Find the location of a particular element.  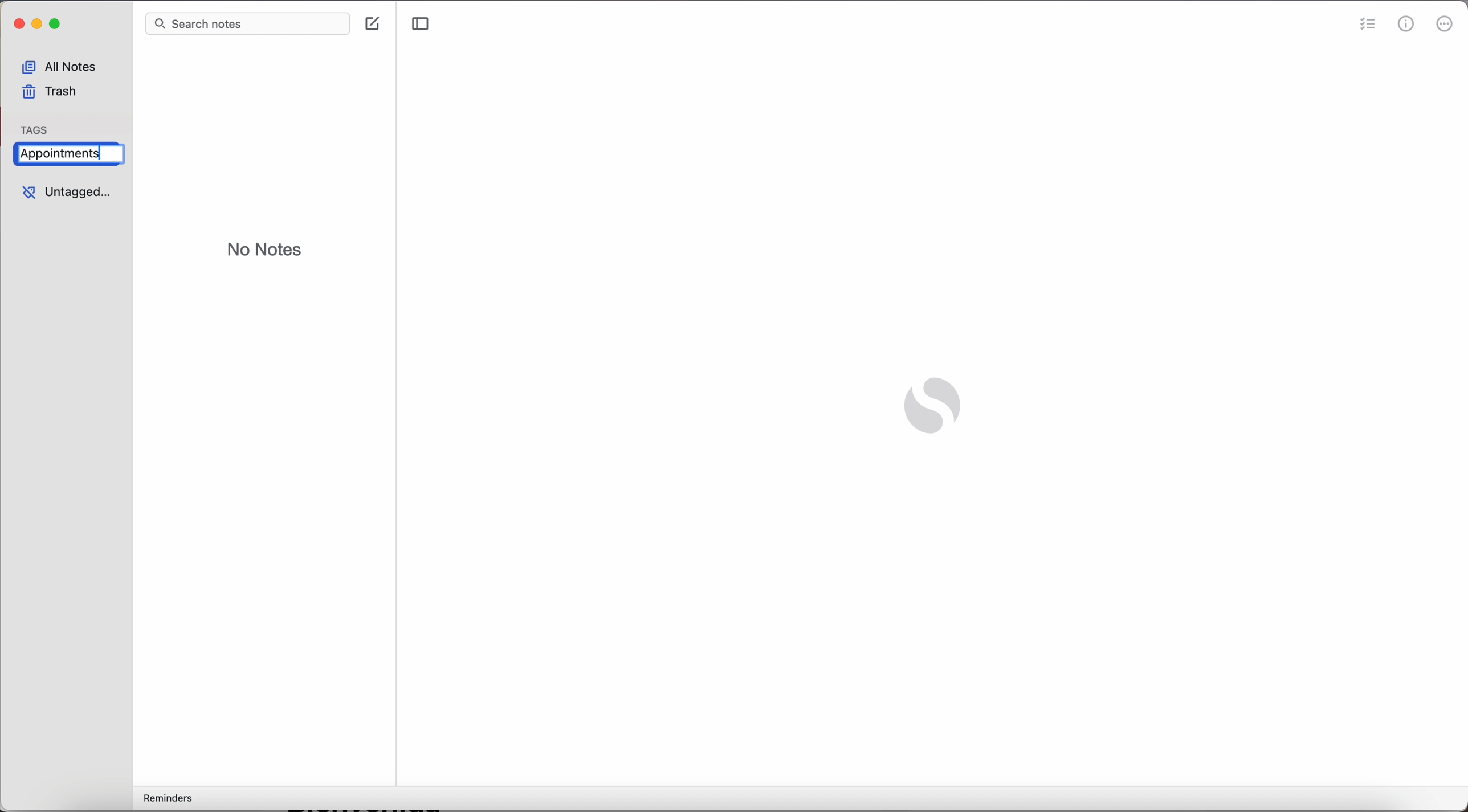

untagged is located at coordinates (64, 194).